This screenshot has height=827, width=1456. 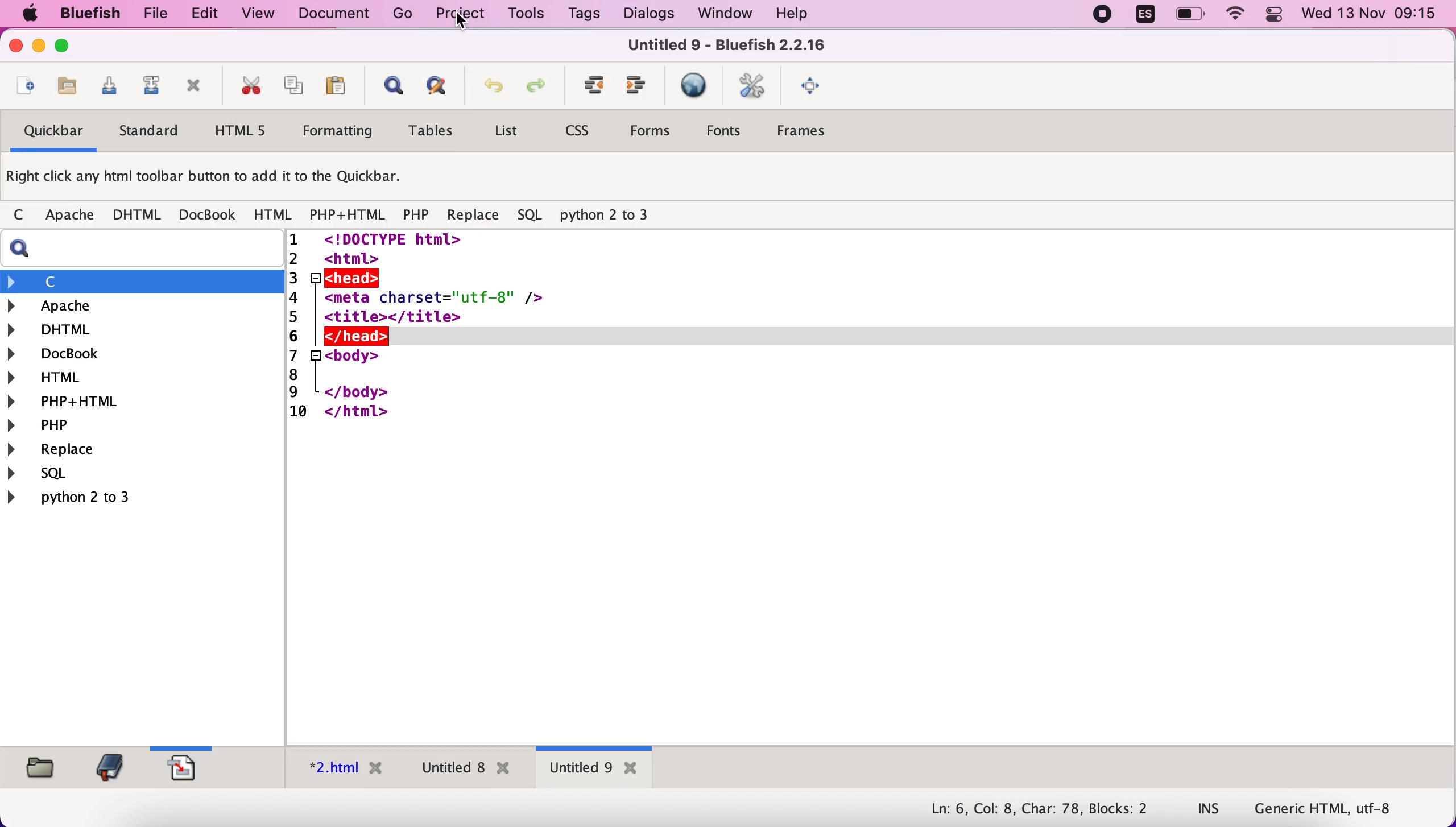 What do you see at coordinates (488, 91) in the screenshot?
I see `undo` at bounding box center [488, 91].